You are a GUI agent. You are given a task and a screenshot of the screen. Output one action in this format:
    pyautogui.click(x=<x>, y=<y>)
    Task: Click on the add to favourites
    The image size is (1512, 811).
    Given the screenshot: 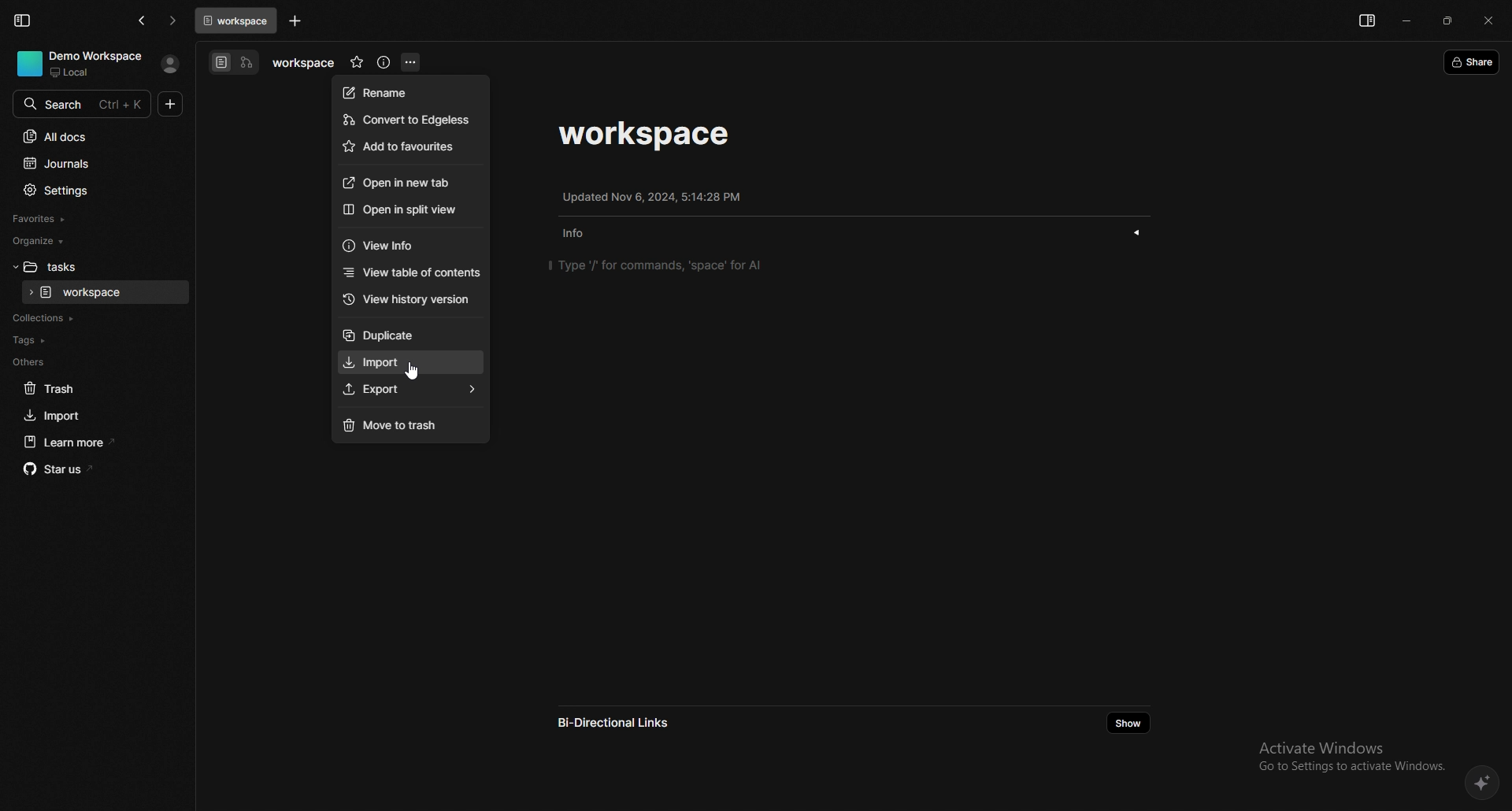 What is the action you would take?
    pyautogui.click(x=409, y=147)
    